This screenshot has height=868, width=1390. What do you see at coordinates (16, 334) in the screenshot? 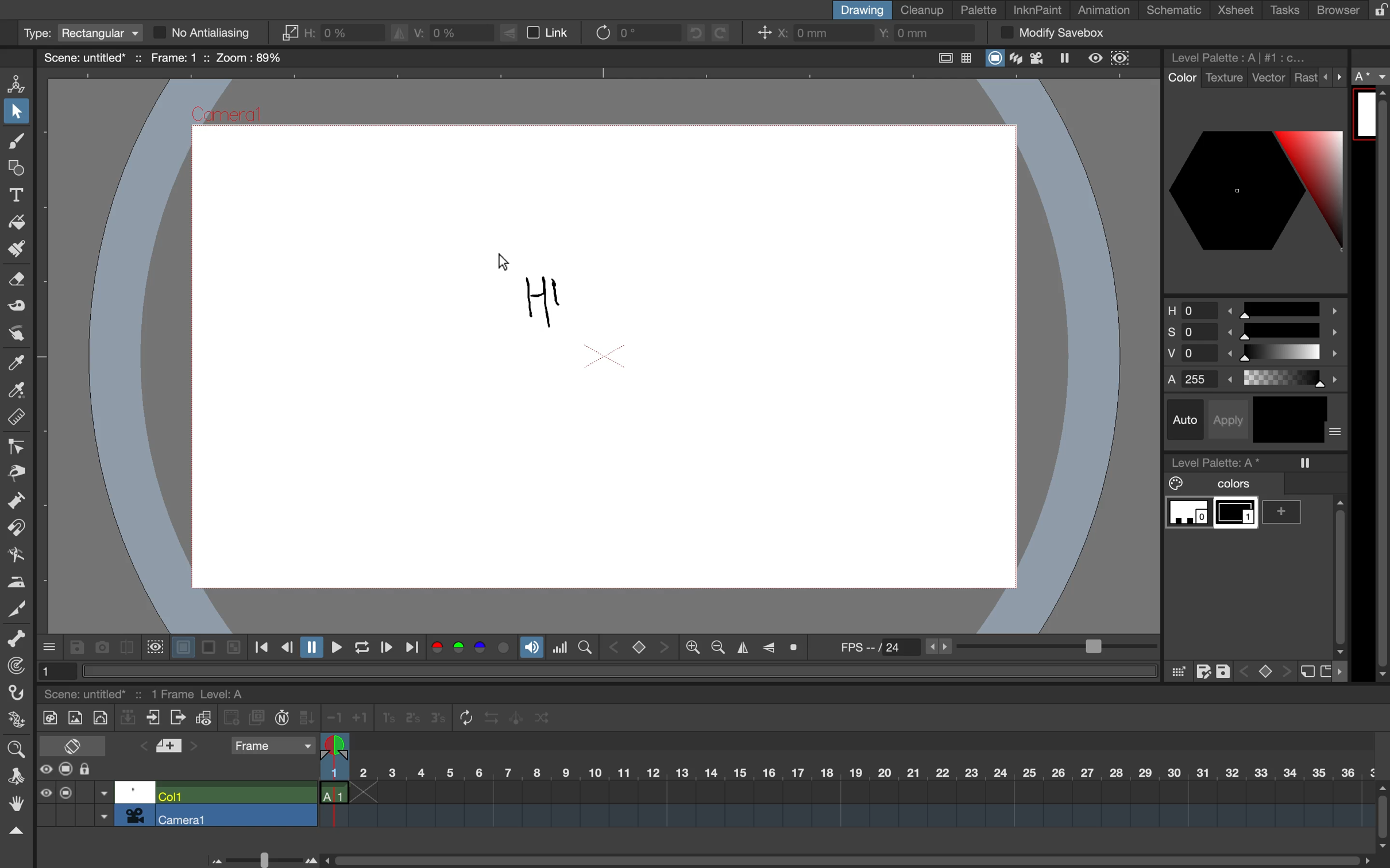
I see `finger tool` at bounding box center [16, 334].